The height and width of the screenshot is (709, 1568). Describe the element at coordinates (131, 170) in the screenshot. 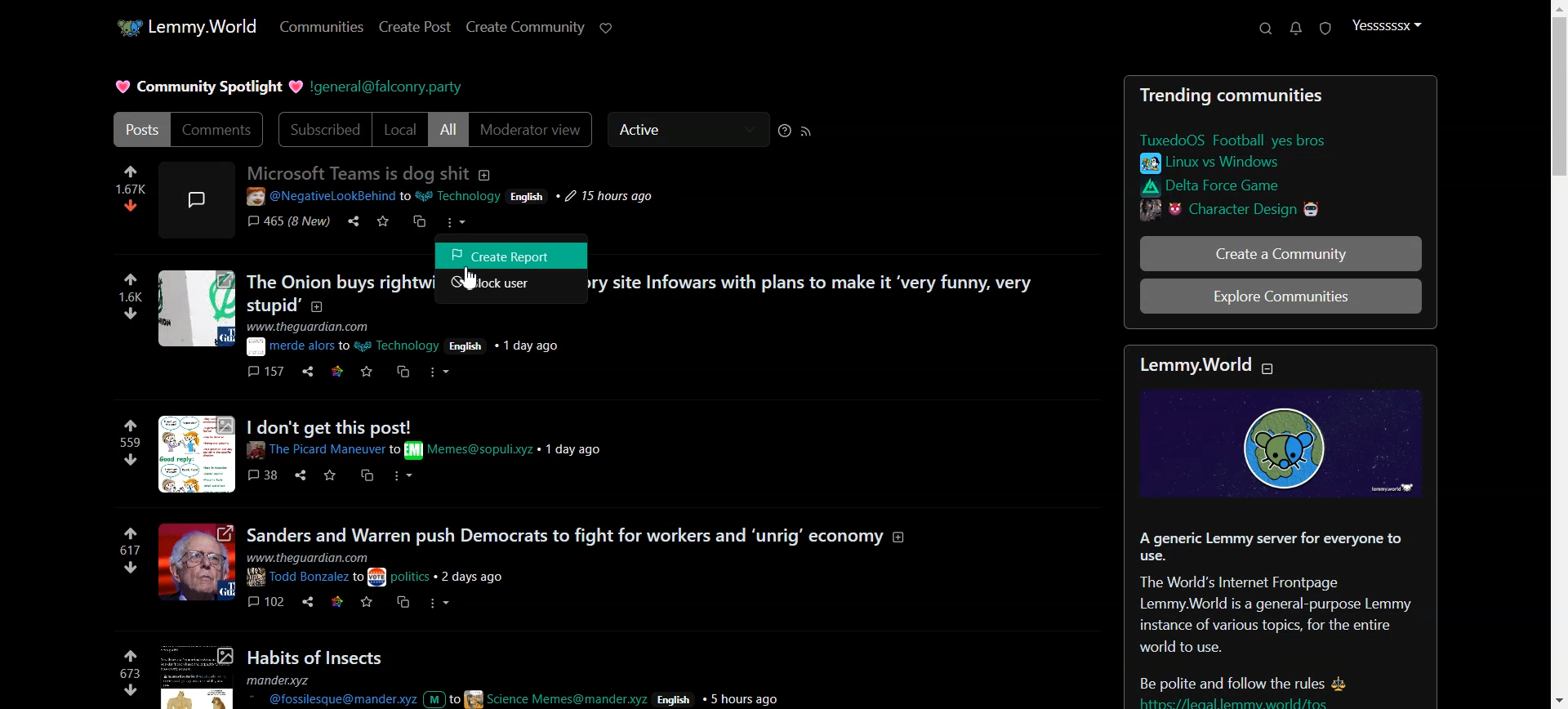

I see `like` at that location.